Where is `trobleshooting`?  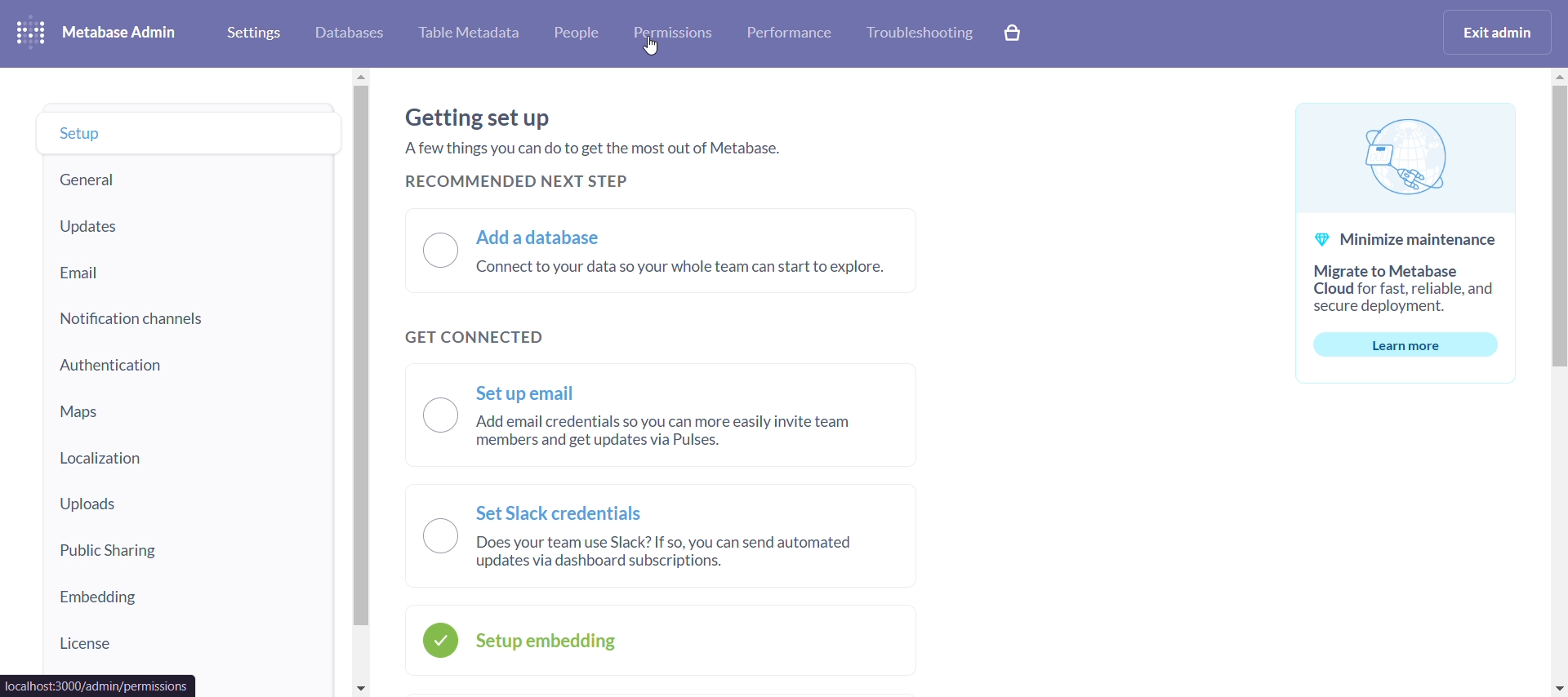 trobleshooting is located at coordinates (917, 35).